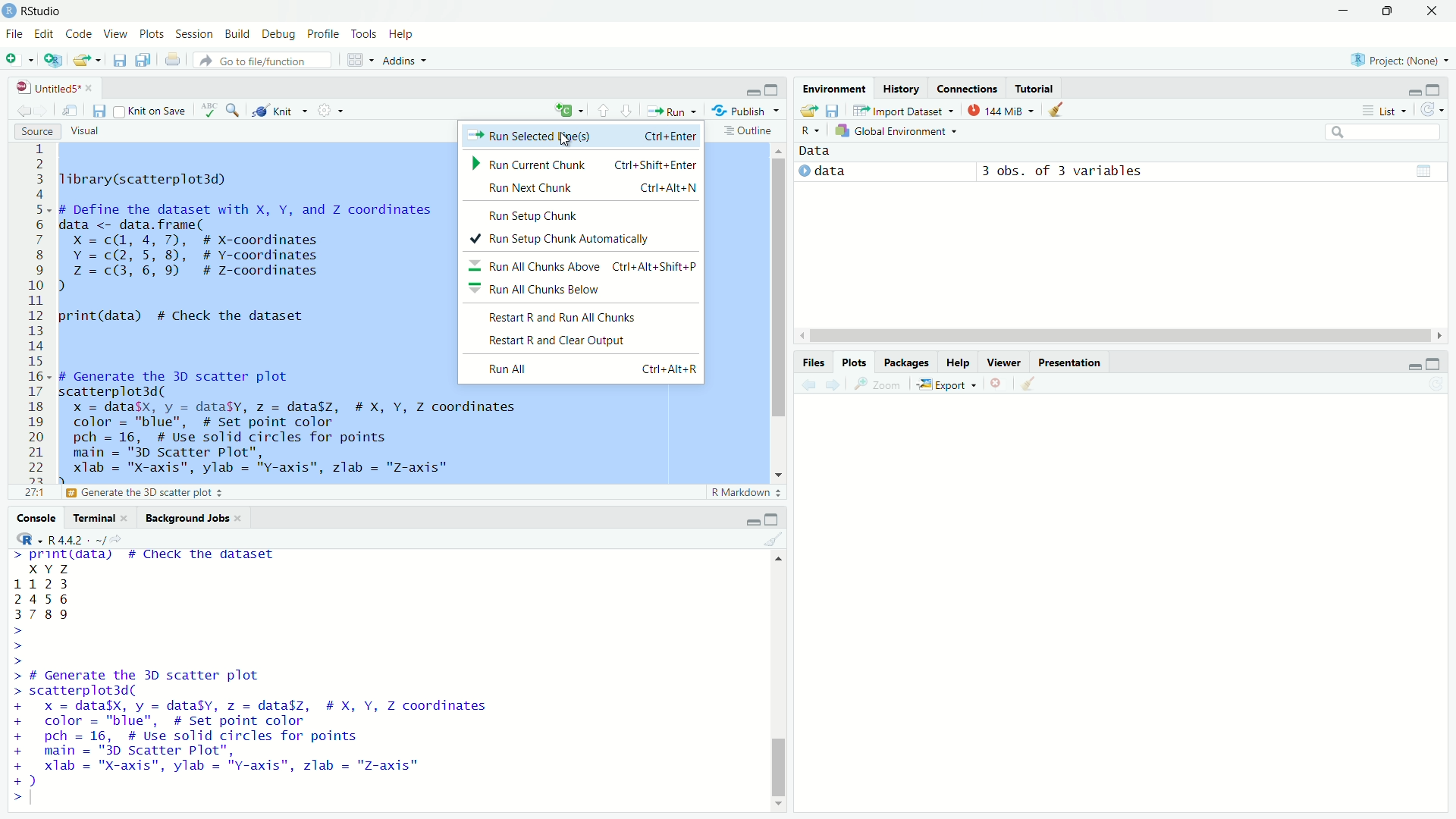 The width and height of the screenshot is (1456, 819). Describe the element at coordinates (566, 140) in the screenshot. I see `cursor` at that location.